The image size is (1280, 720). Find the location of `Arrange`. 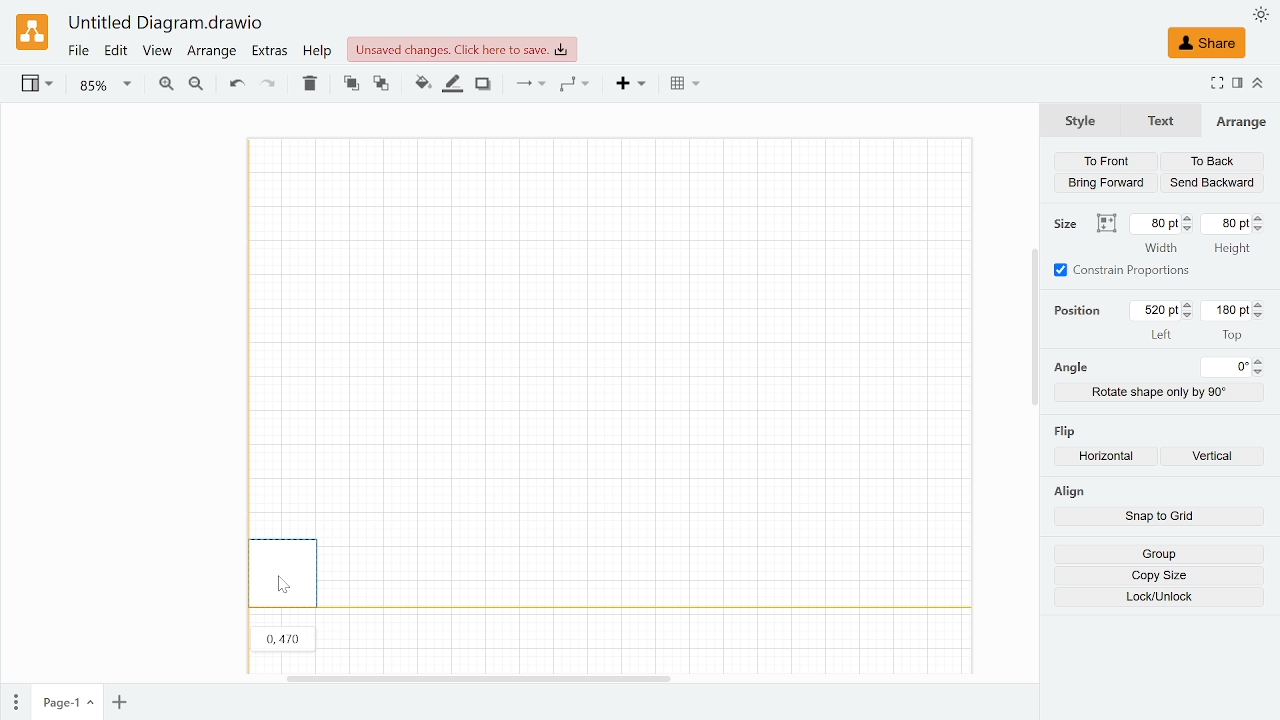

Arrange is located at coordinates (211, 52).